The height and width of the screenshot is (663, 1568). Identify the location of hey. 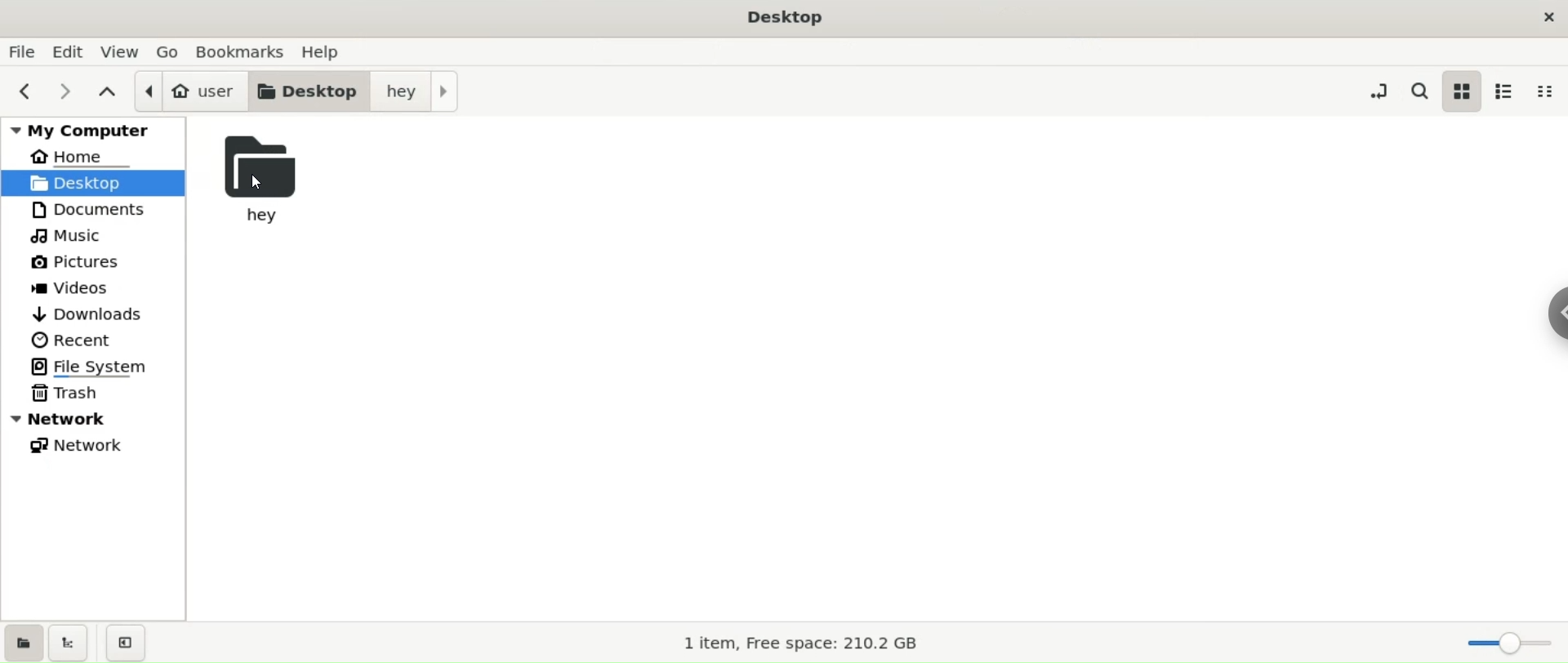
(412, 92).